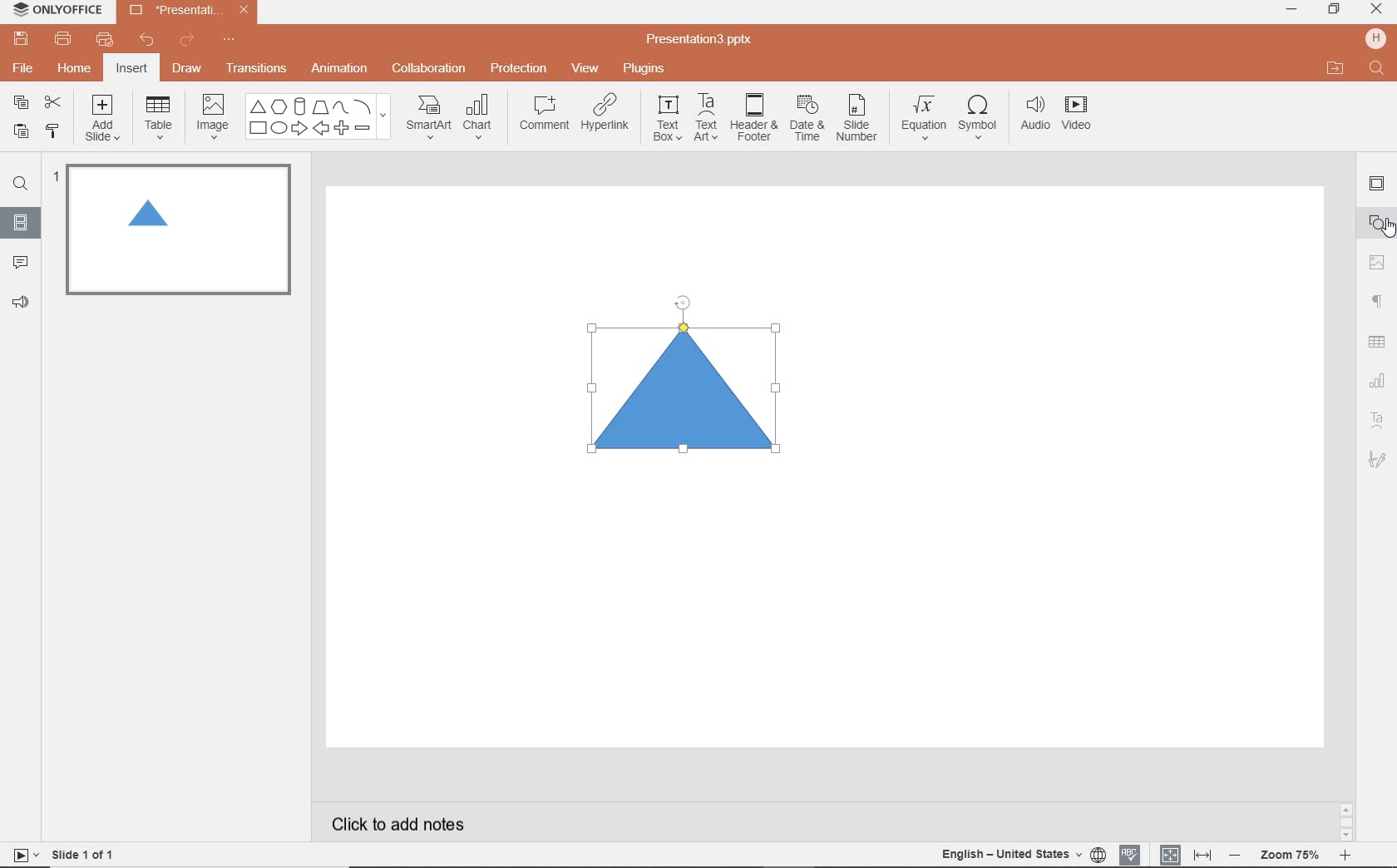 This screenshot has height=868, width=1397. I want to click on CLICK TO ADD NOTES, so click(413, 824).